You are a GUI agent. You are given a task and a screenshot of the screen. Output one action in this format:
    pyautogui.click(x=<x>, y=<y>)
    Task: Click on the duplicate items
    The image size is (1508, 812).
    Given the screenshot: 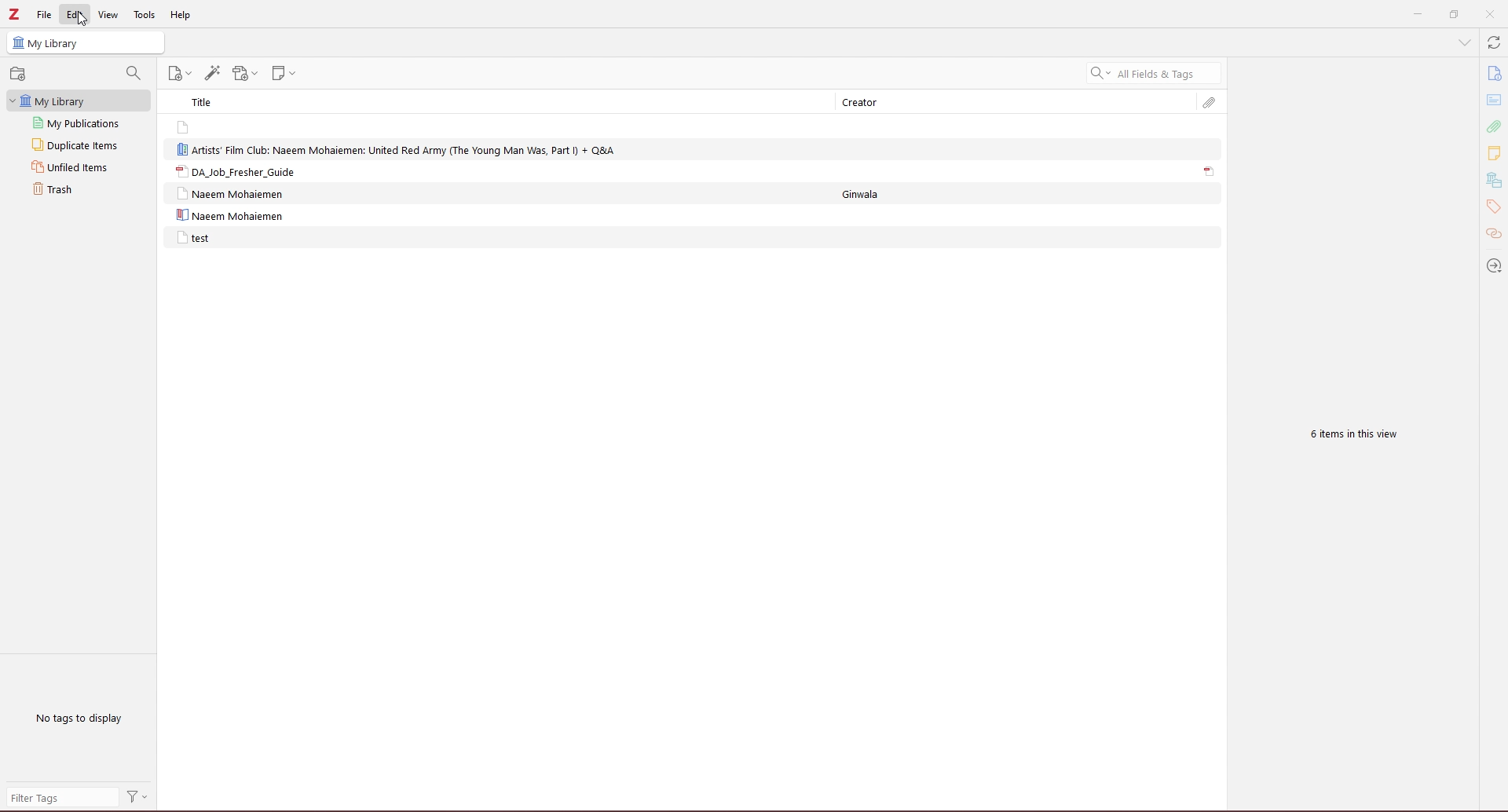 What is the action you would take?
    pyautogui.click(x=78, y=144)
    